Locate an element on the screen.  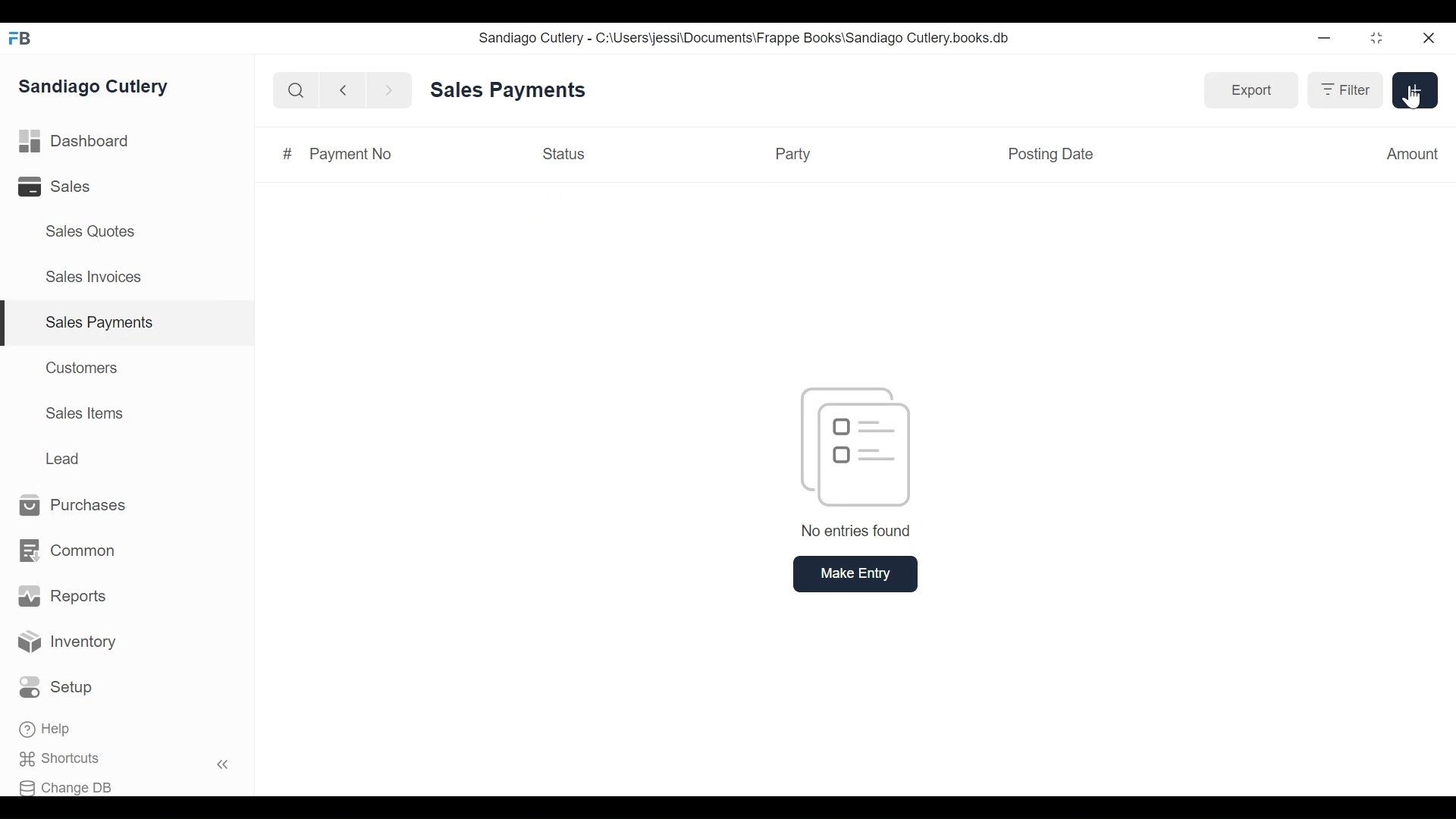
# is located at coordinates (284, 152).